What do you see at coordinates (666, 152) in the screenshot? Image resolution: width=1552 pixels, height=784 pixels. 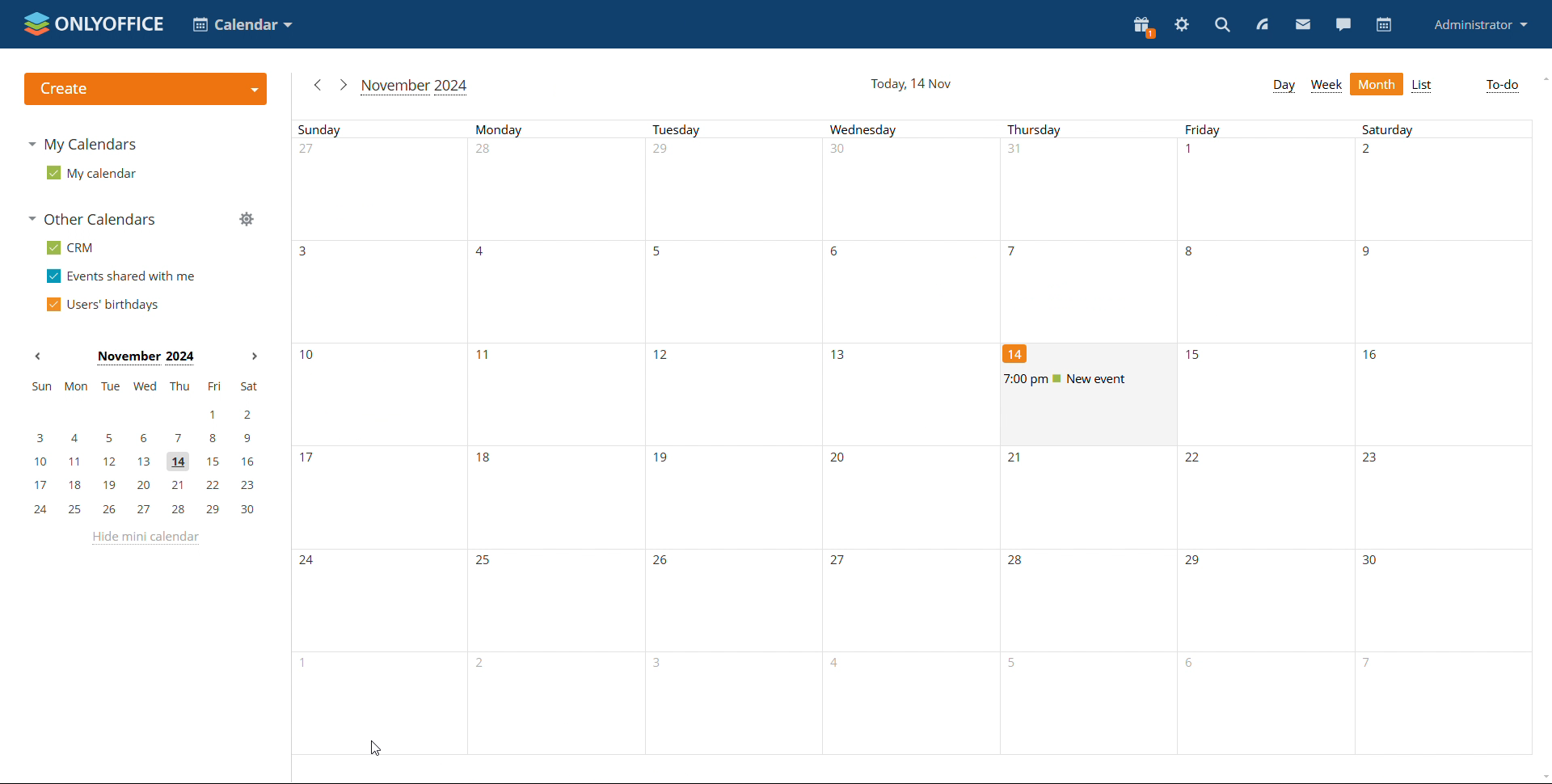 I see `number` at bounding box center [666, 152].